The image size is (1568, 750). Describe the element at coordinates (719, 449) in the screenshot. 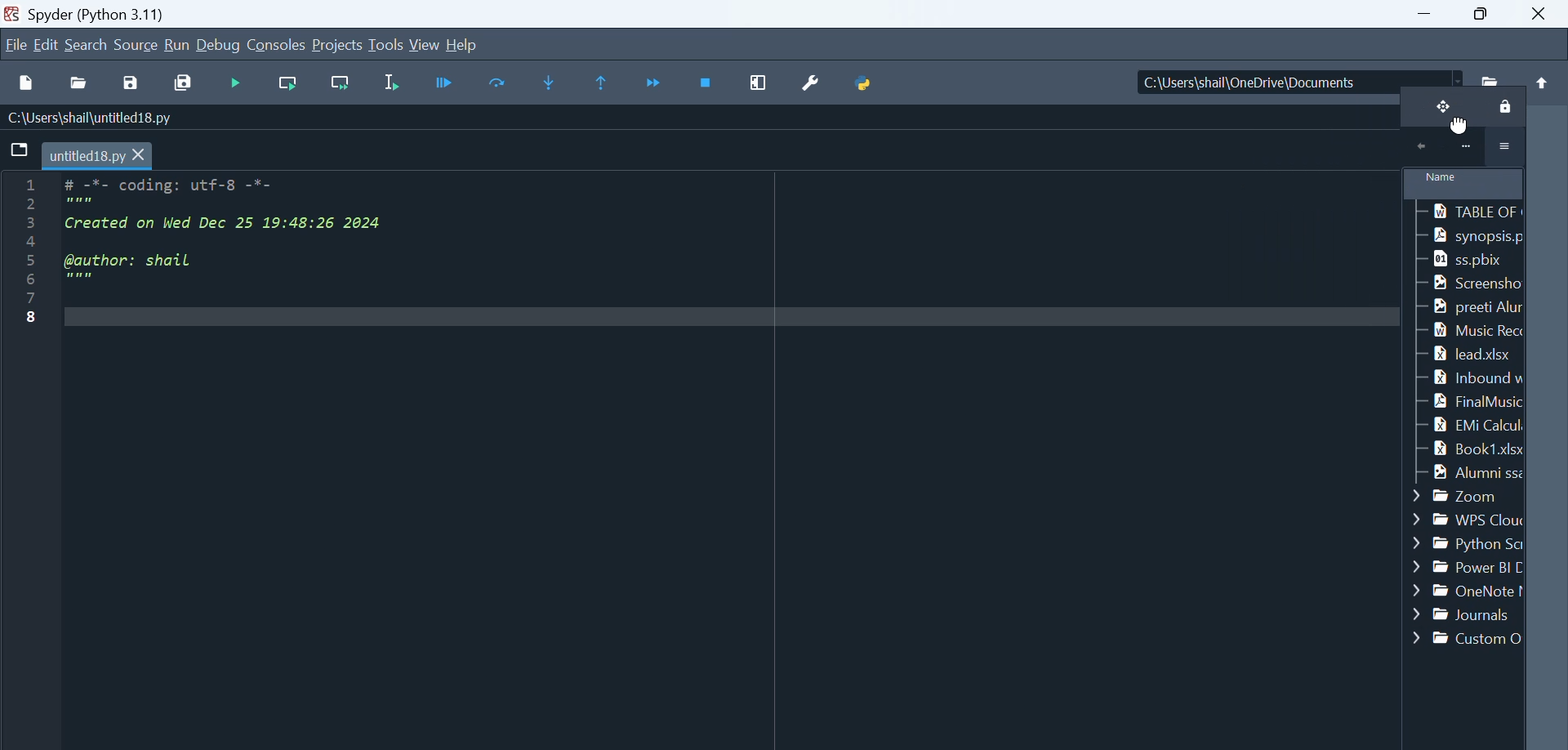

I see `# -*- coding: utf-8 -*-
Created on Wed Dec 25 19:48:26 2024
@author: shail` at that location.